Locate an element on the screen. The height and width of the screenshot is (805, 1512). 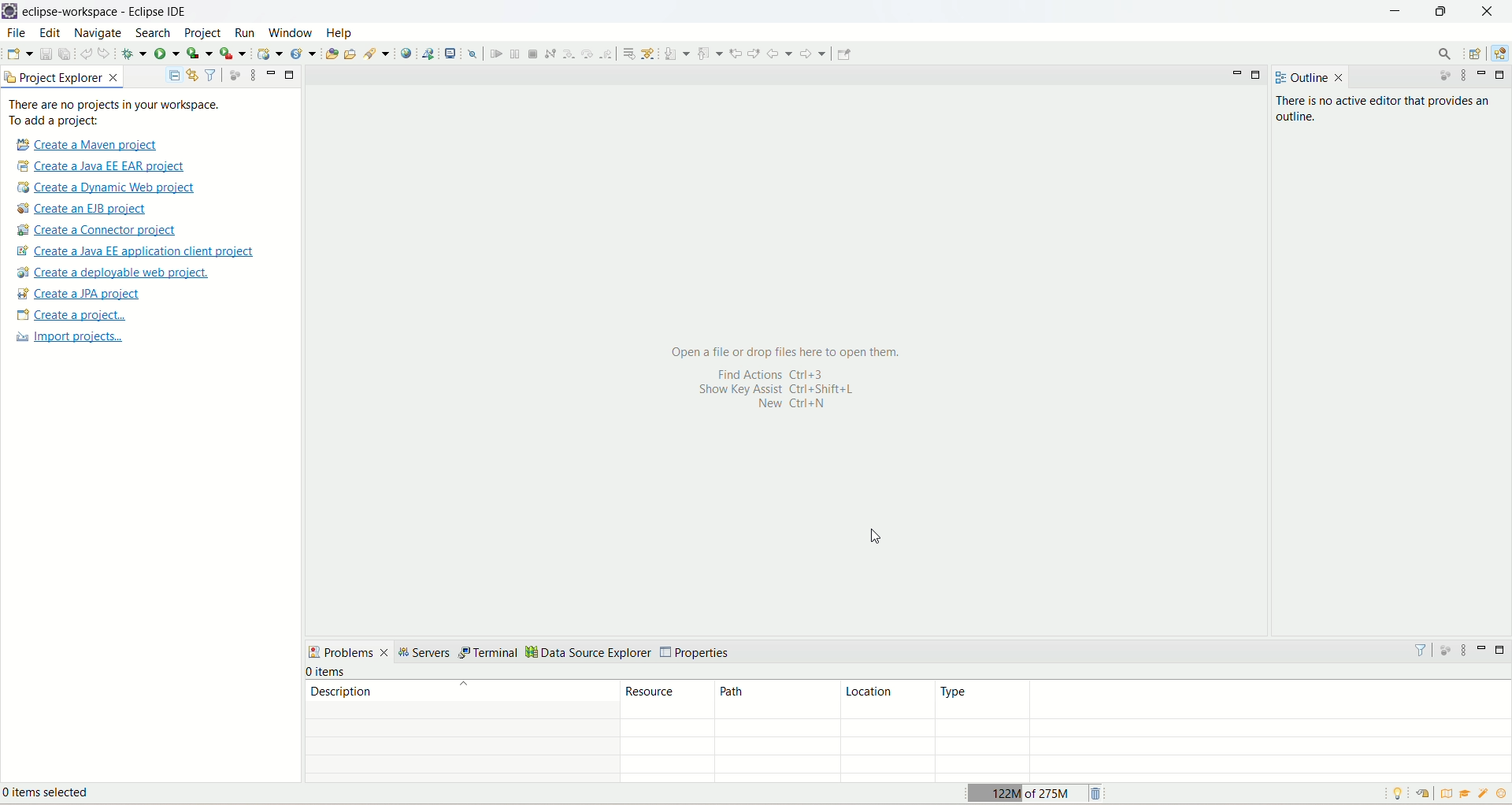
what's new is located at coordinates (1484, 796).